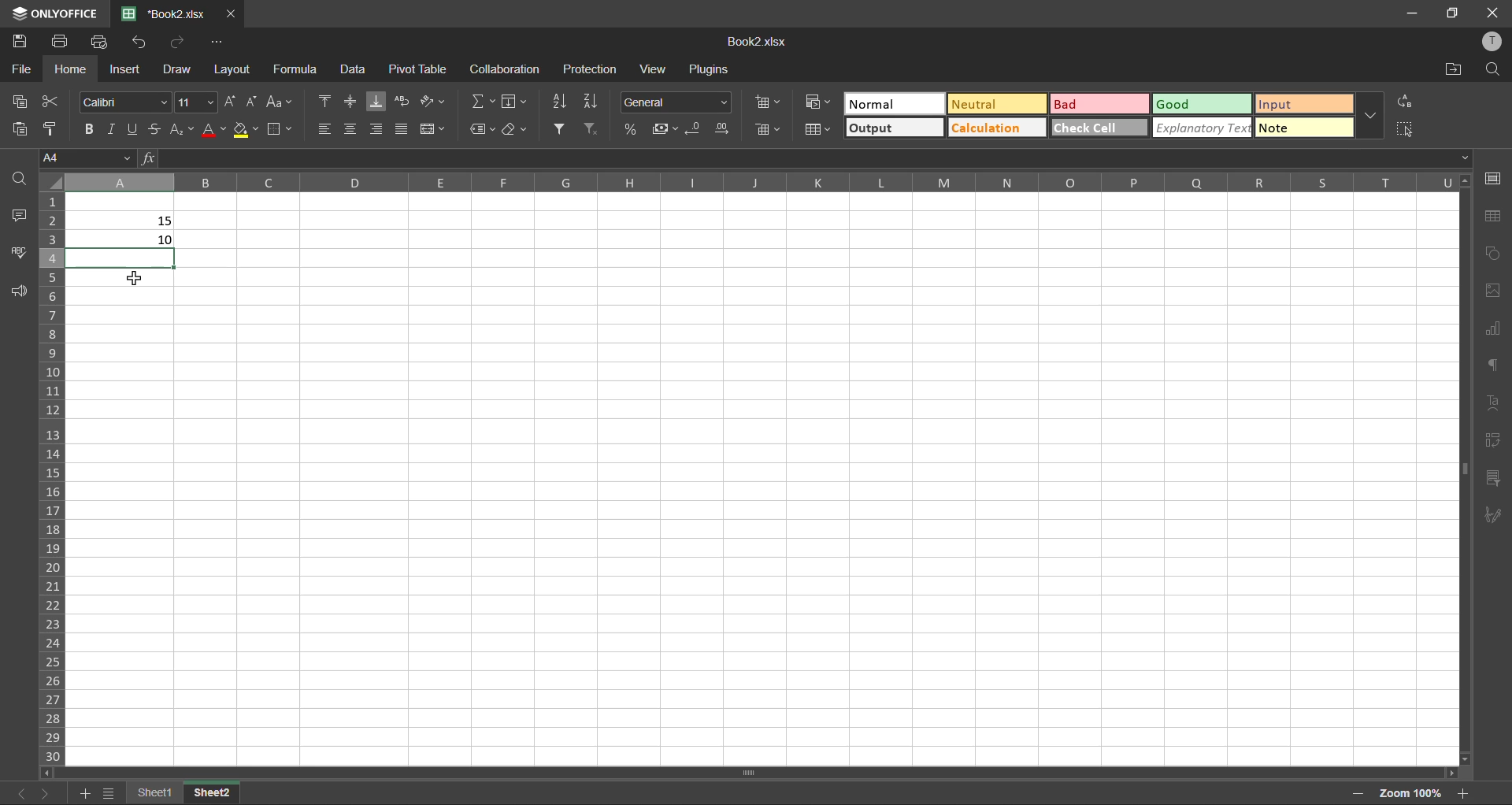  What do you see at coordinates (818, 130) in the screenshot?
I see `format as table` at bounding box center [818, 130].